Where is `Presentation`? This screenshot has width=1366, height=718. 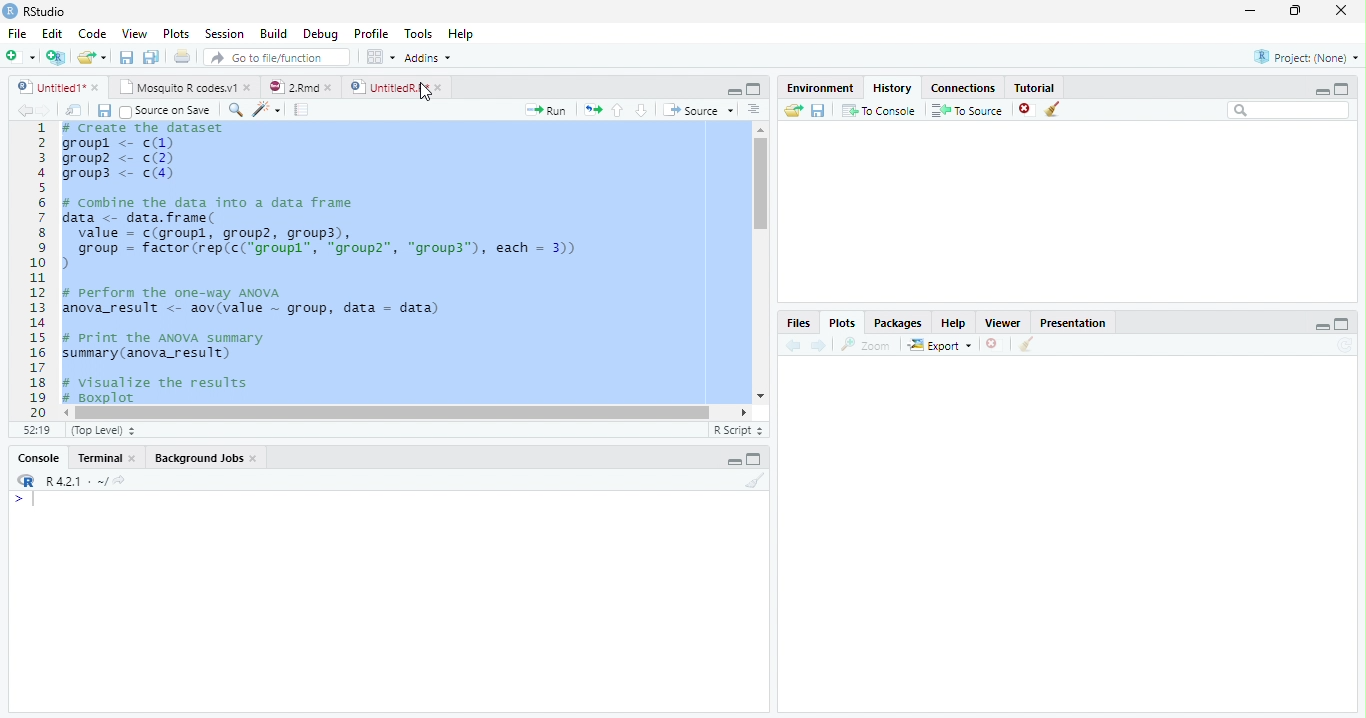 Presentation is located at coordinates (1081, 321).